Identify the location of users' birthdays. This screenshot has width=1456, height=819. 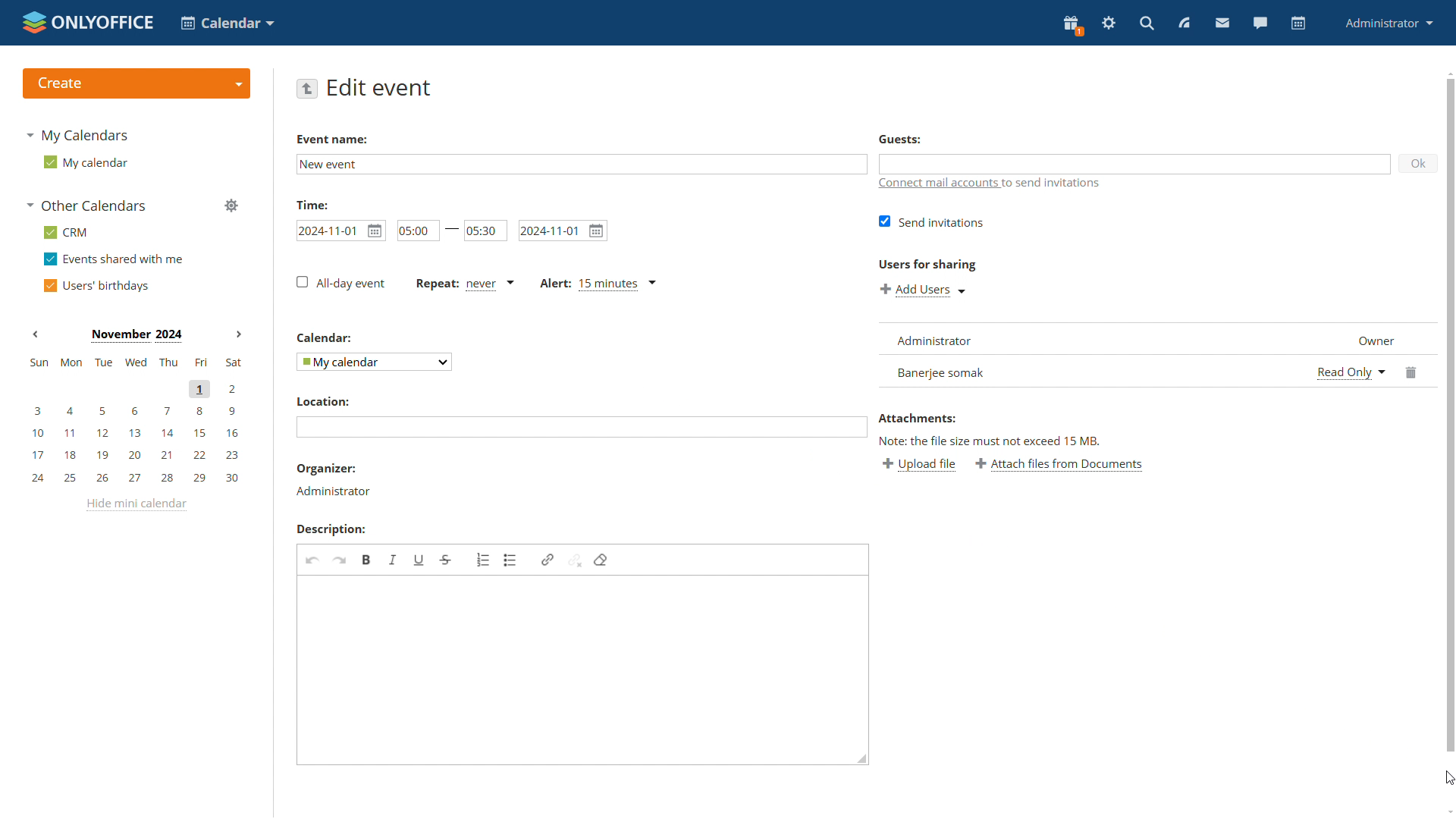
(99, 287).